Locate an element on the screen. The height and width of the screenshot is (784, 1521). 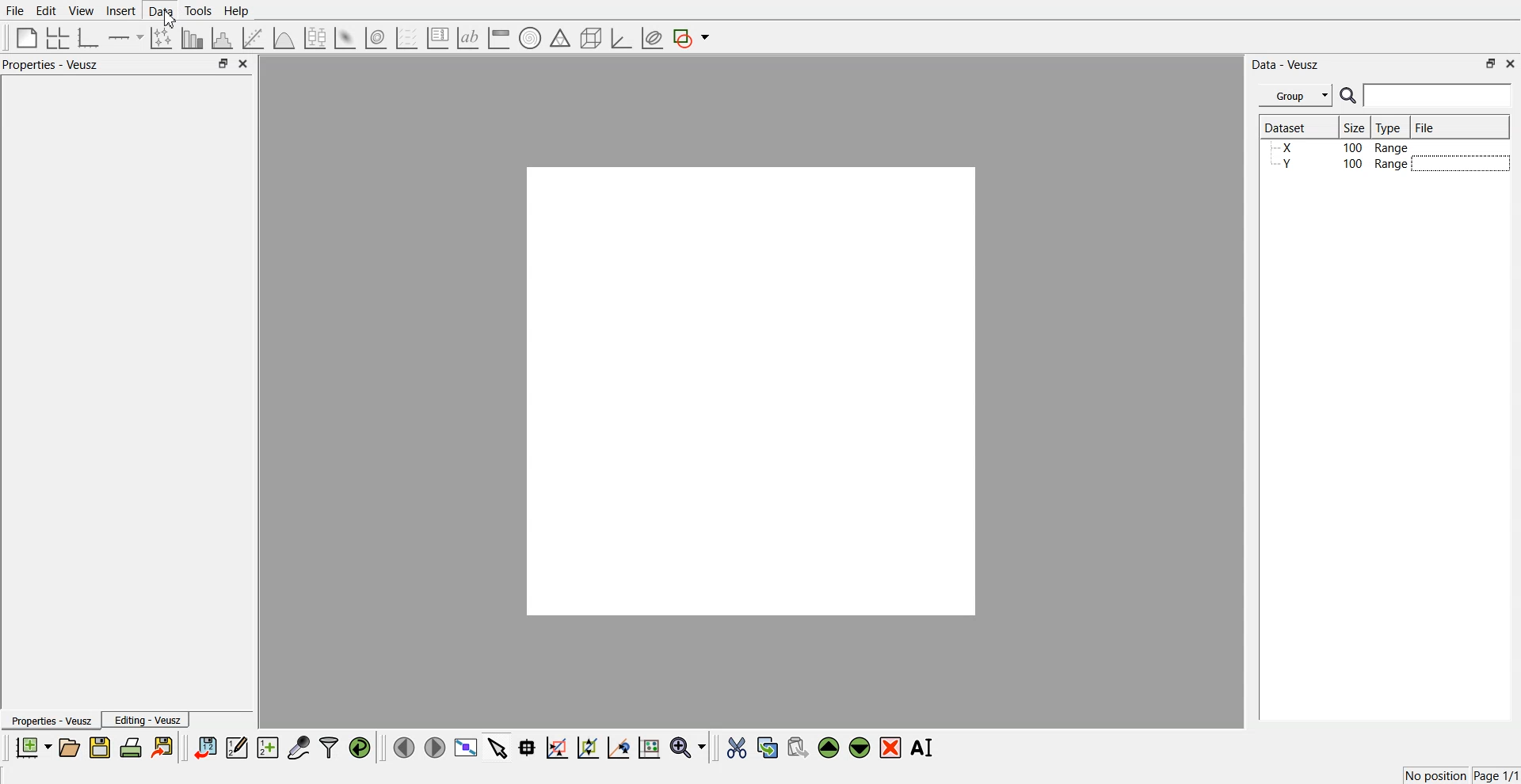
Rename the selected widget is located at coordinates (924, 748).